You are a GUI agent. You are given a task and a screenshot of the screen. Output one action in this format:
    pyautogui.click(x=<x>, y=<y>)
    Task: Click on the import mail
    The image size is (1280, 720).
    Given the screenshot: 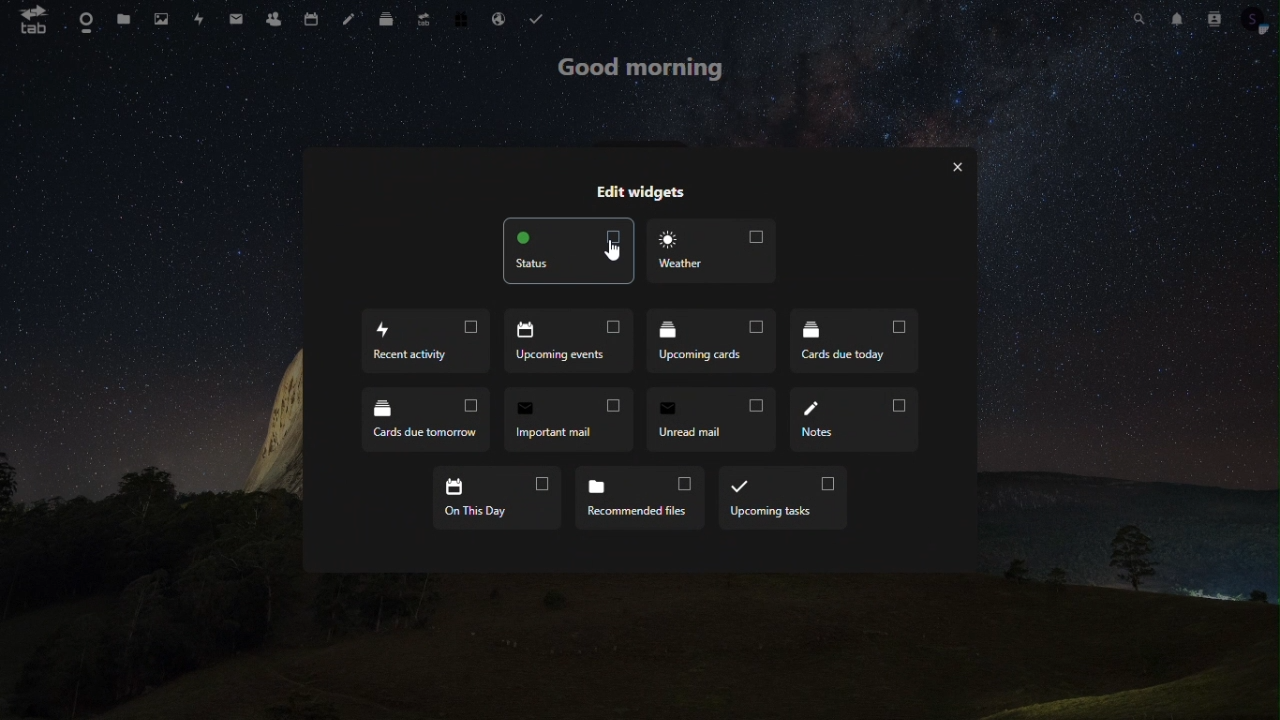 What is the action you would take?
    pyautogui.click(x=574, y=422)
    